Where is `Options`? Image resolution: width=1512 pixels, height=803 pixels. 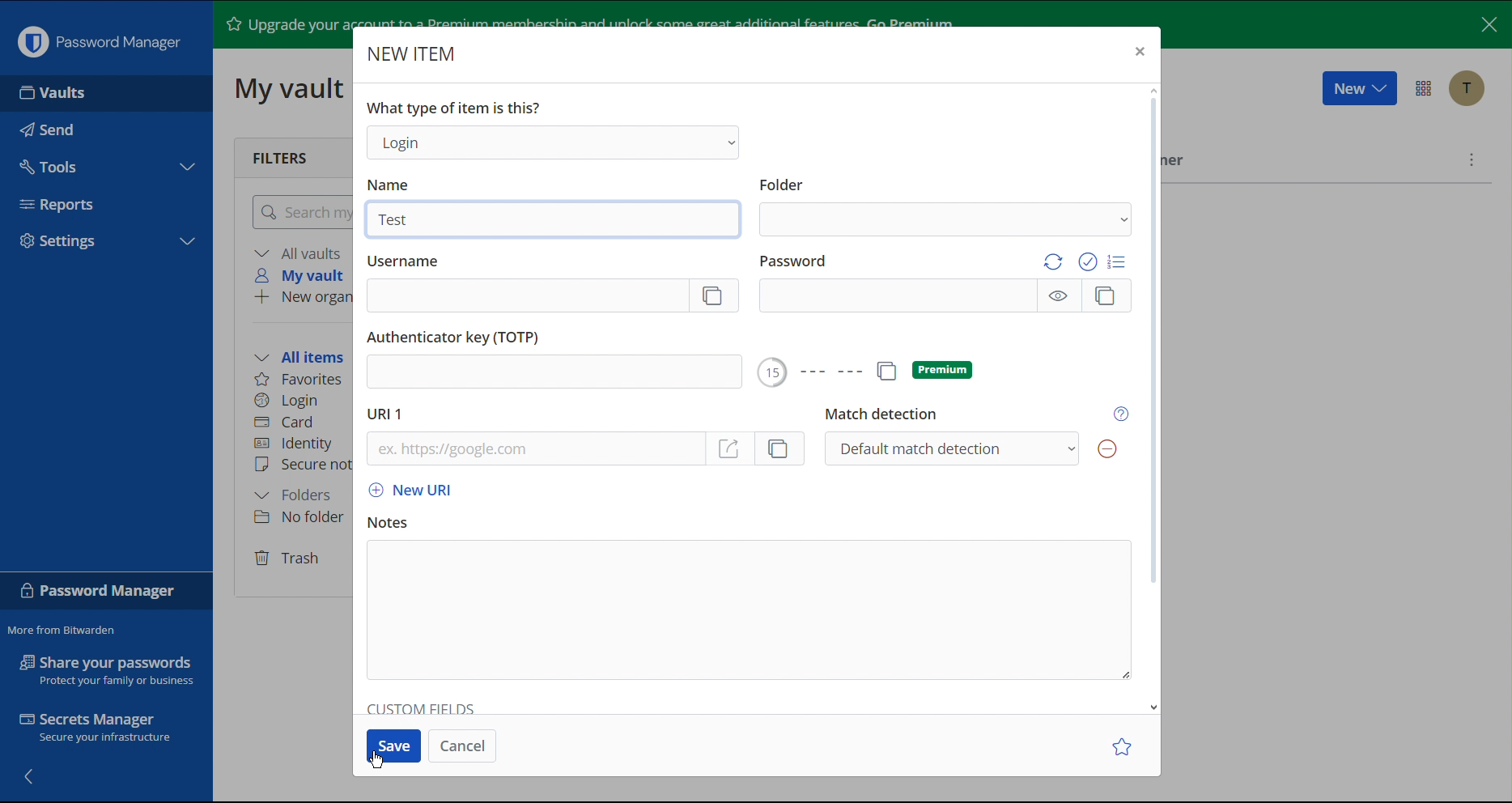 Options is located at coordinates (1426, 87).